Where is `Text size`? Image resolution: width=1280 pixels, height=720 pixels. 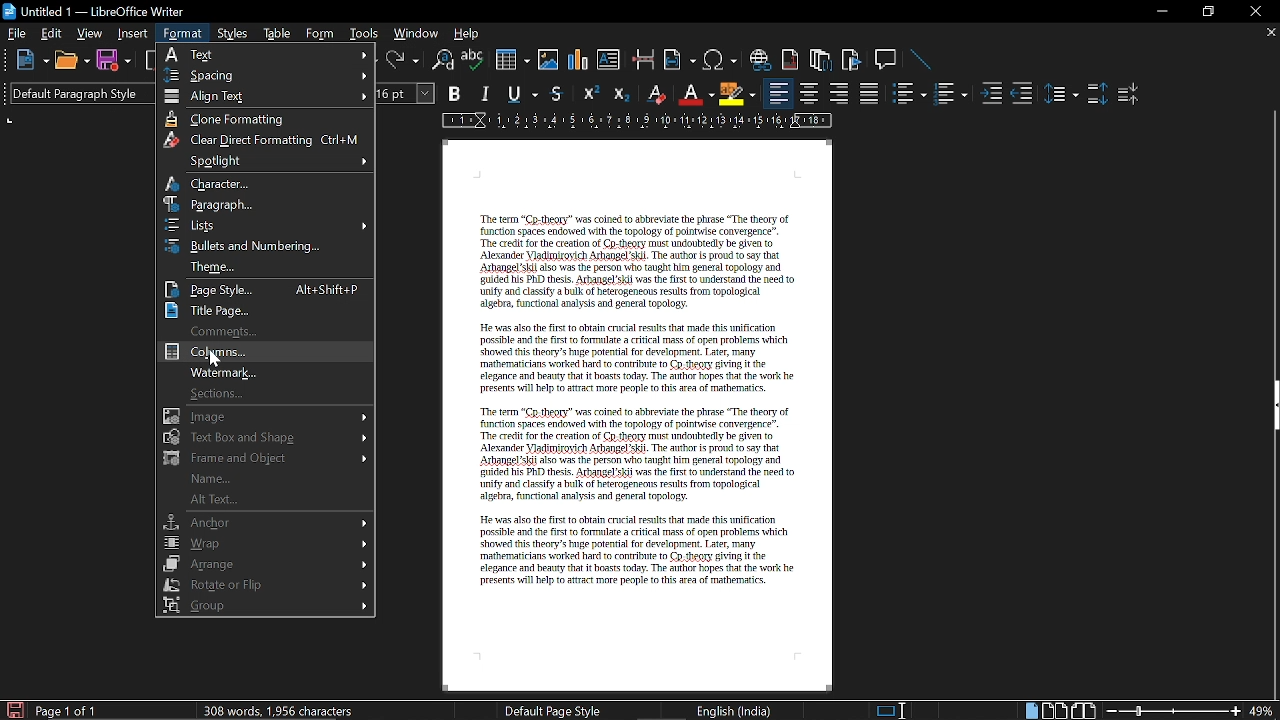 Text size is located at coordinates (407, 94).